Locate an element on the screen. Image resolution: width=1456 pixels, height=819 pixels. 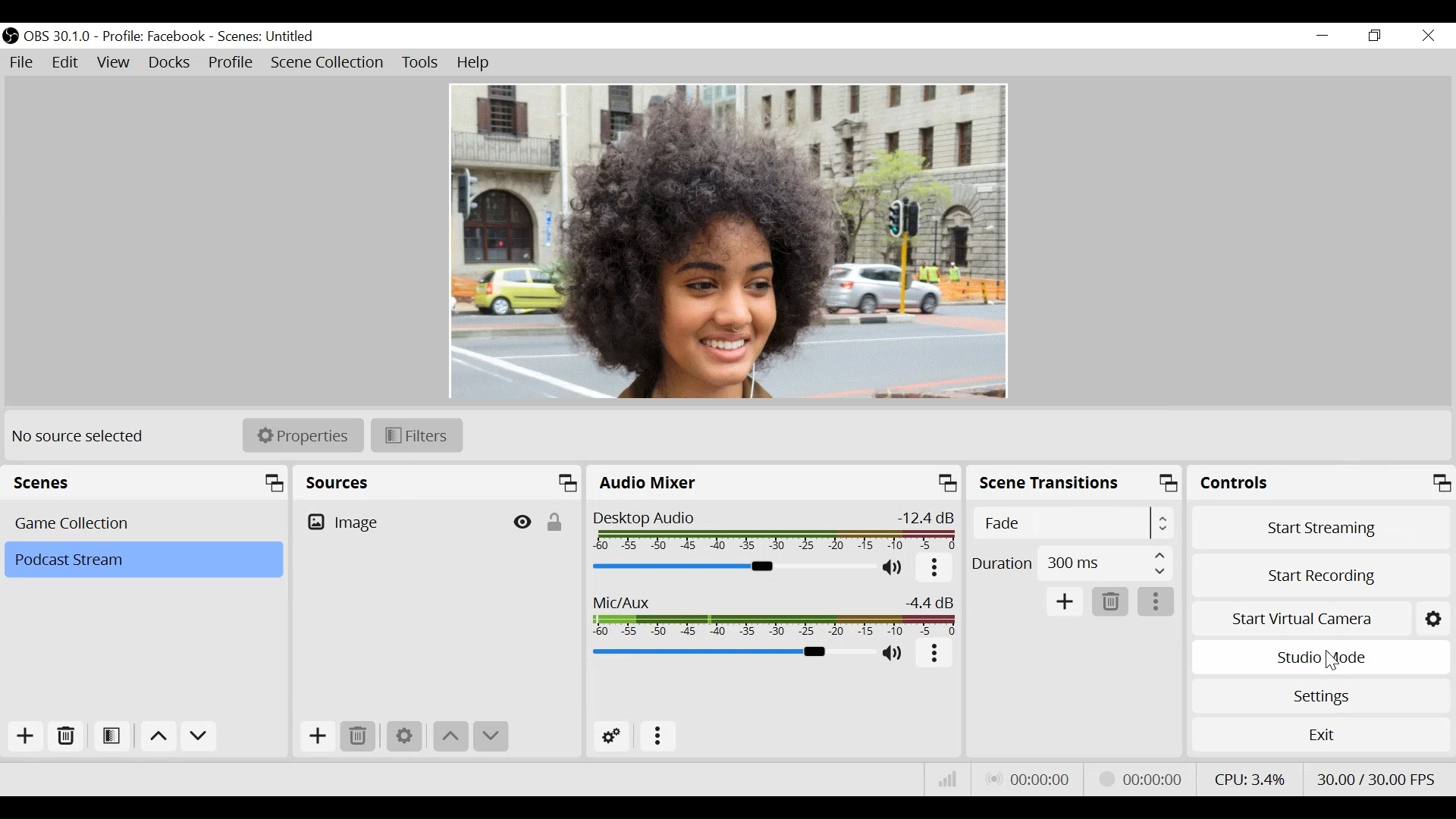
Properties is located at coordinates (303, 435).